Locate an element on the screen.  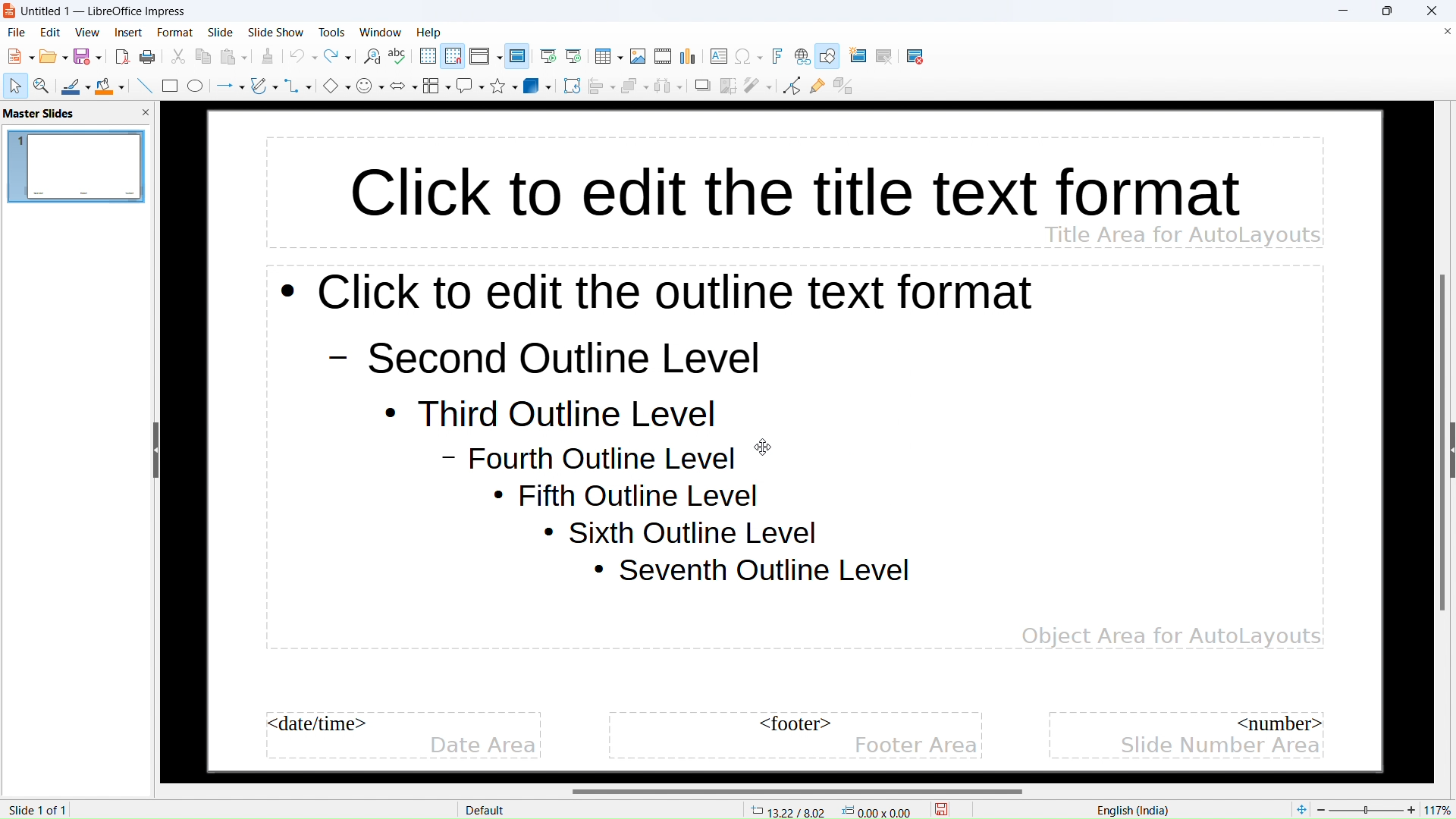
<number> is located at coordinates (1281, 723).